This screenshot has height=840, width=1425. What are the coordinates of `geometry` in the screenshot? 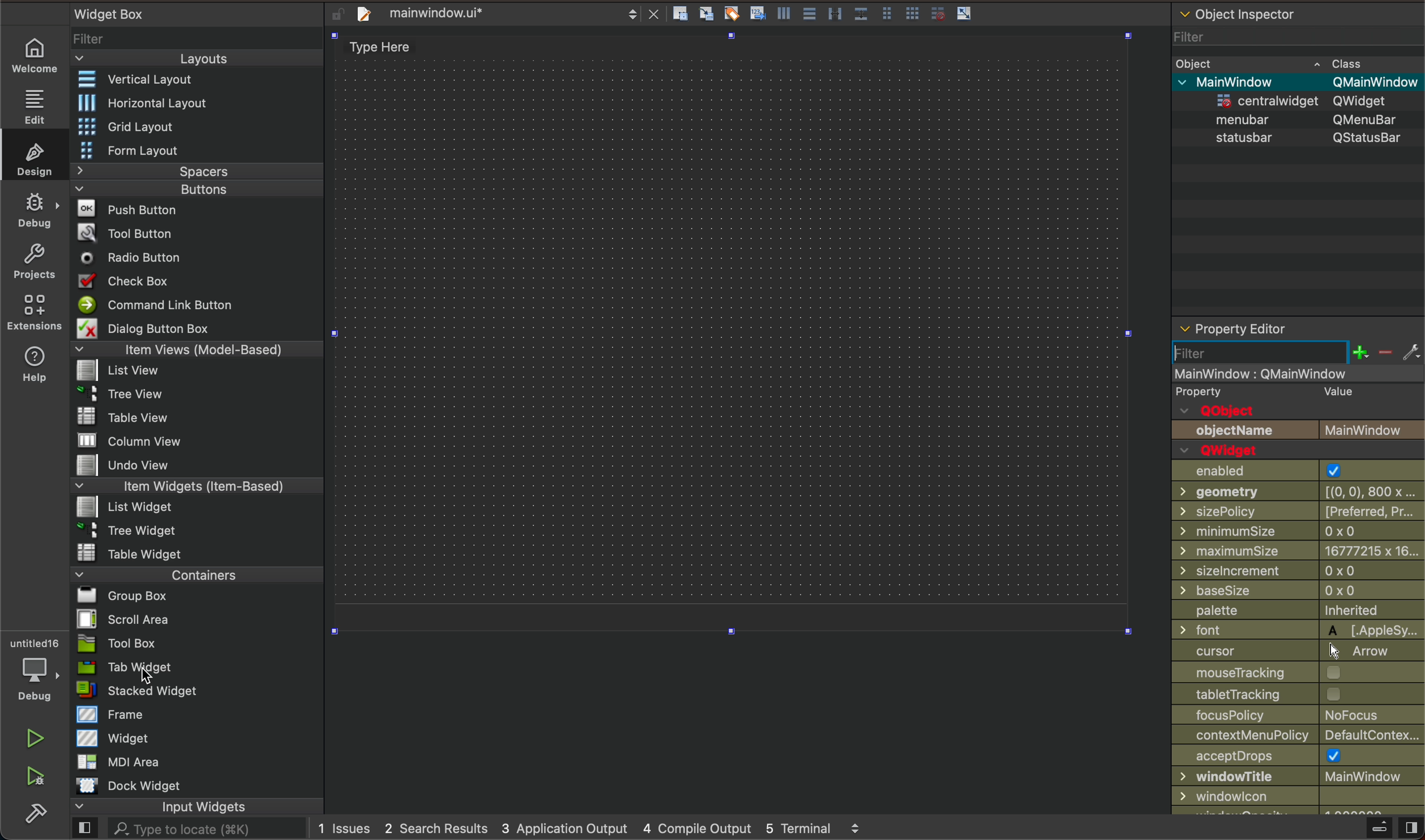 It's located at (1300, 491).